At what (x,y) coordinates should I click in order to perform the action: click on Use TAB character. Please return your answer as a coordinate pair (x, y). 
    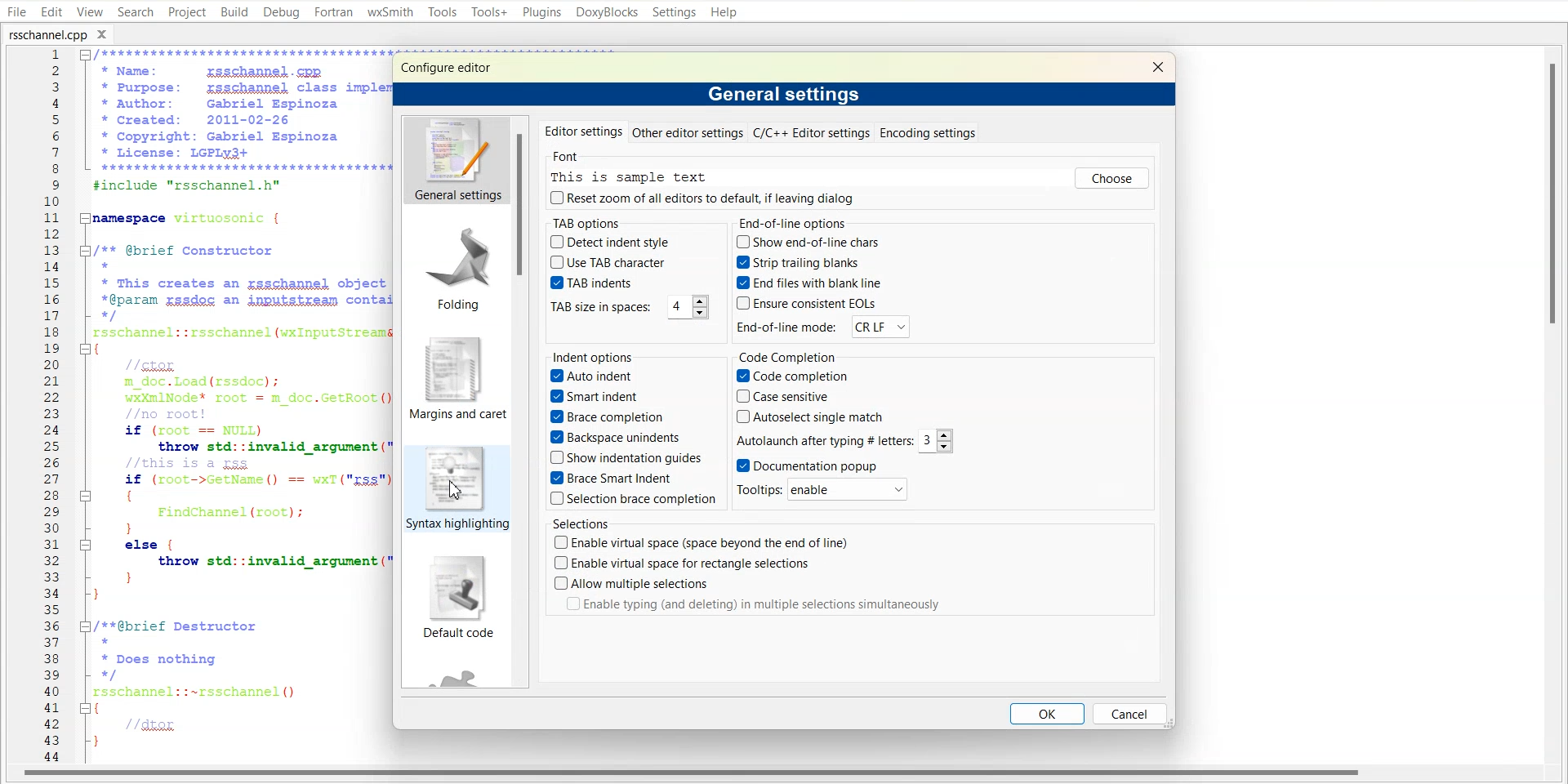
    Looking at the image, I should click on (616, 262).